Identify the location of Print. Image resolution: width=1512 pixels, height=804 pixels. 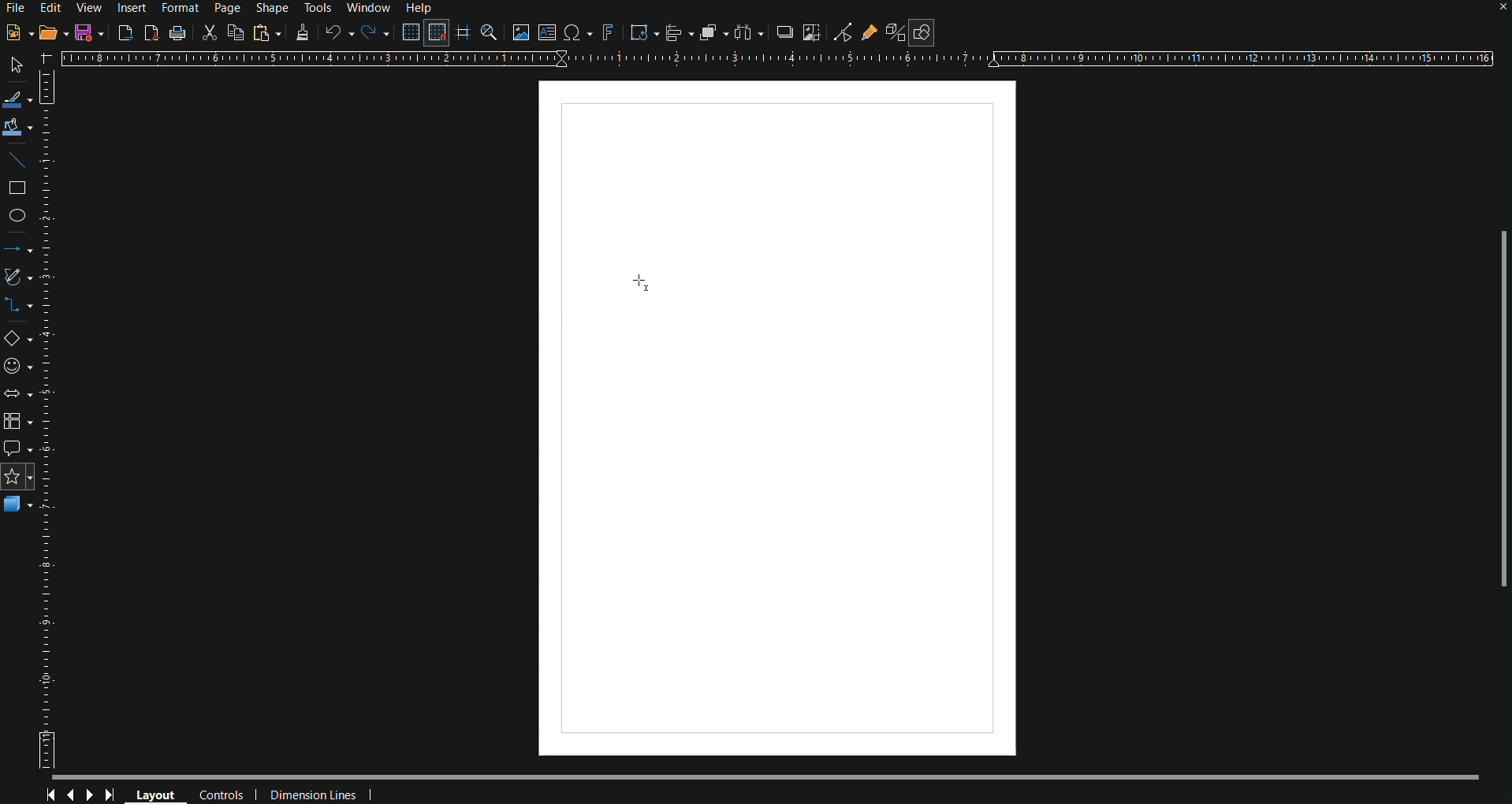
(179, 32).